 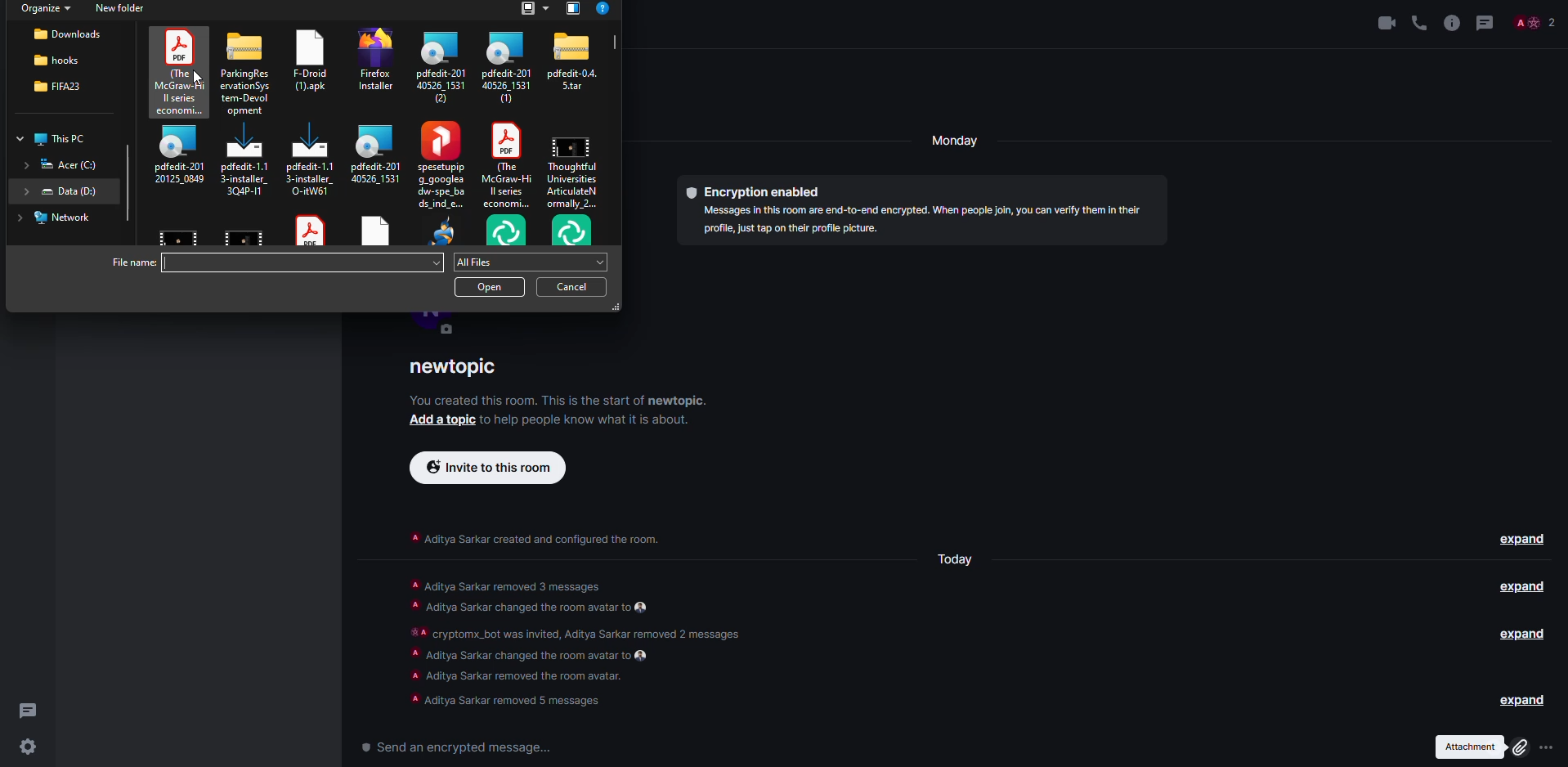 I want to click on invite to this room, so click(x=486, y=469).